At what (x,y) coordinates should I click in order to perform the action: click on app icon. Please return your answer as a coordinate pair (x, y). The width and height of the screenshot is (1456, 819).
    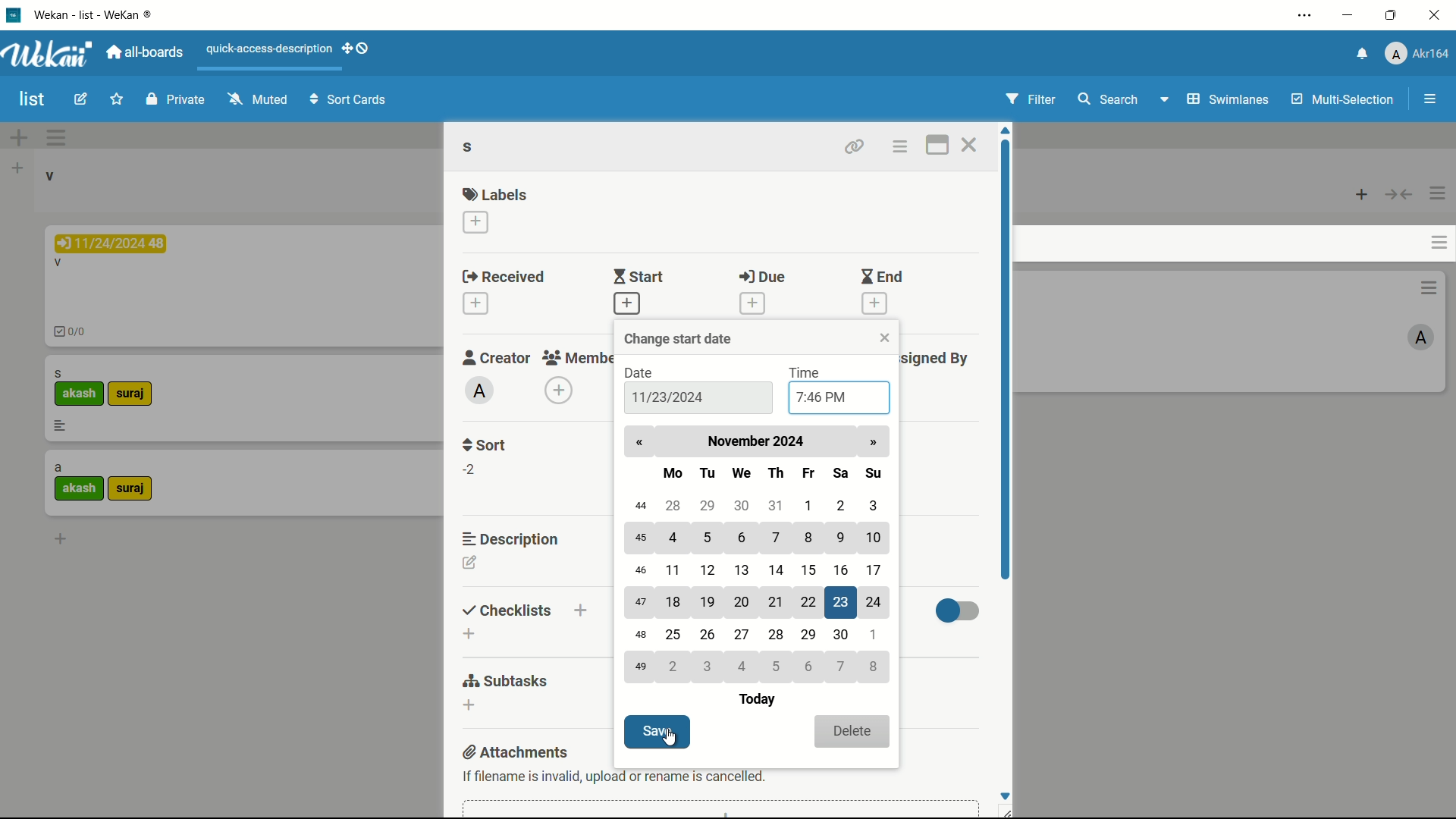
    Looking at the image, I should click on (15, 15).